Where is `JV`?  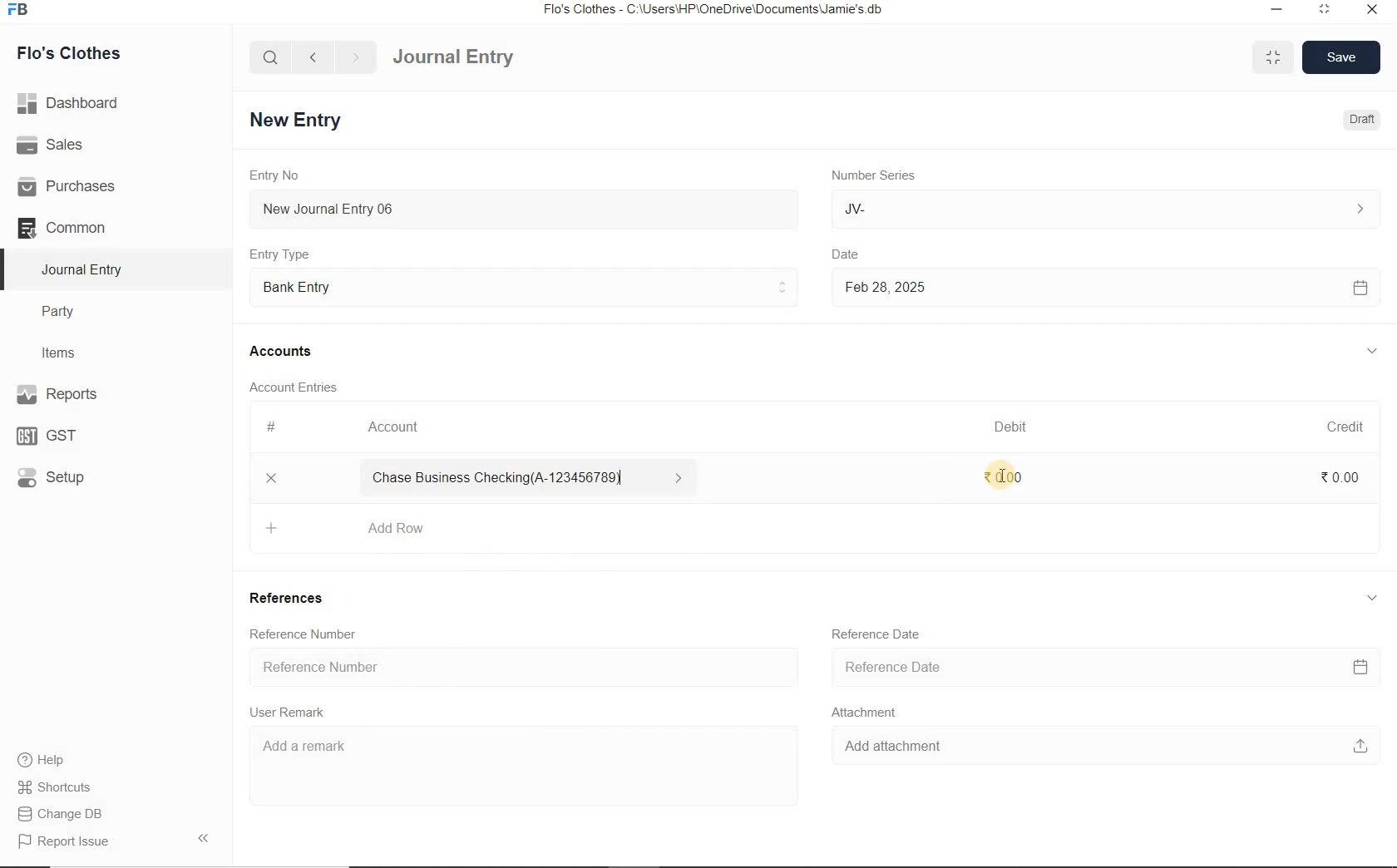
JV is located at coordinates (1102, 209).